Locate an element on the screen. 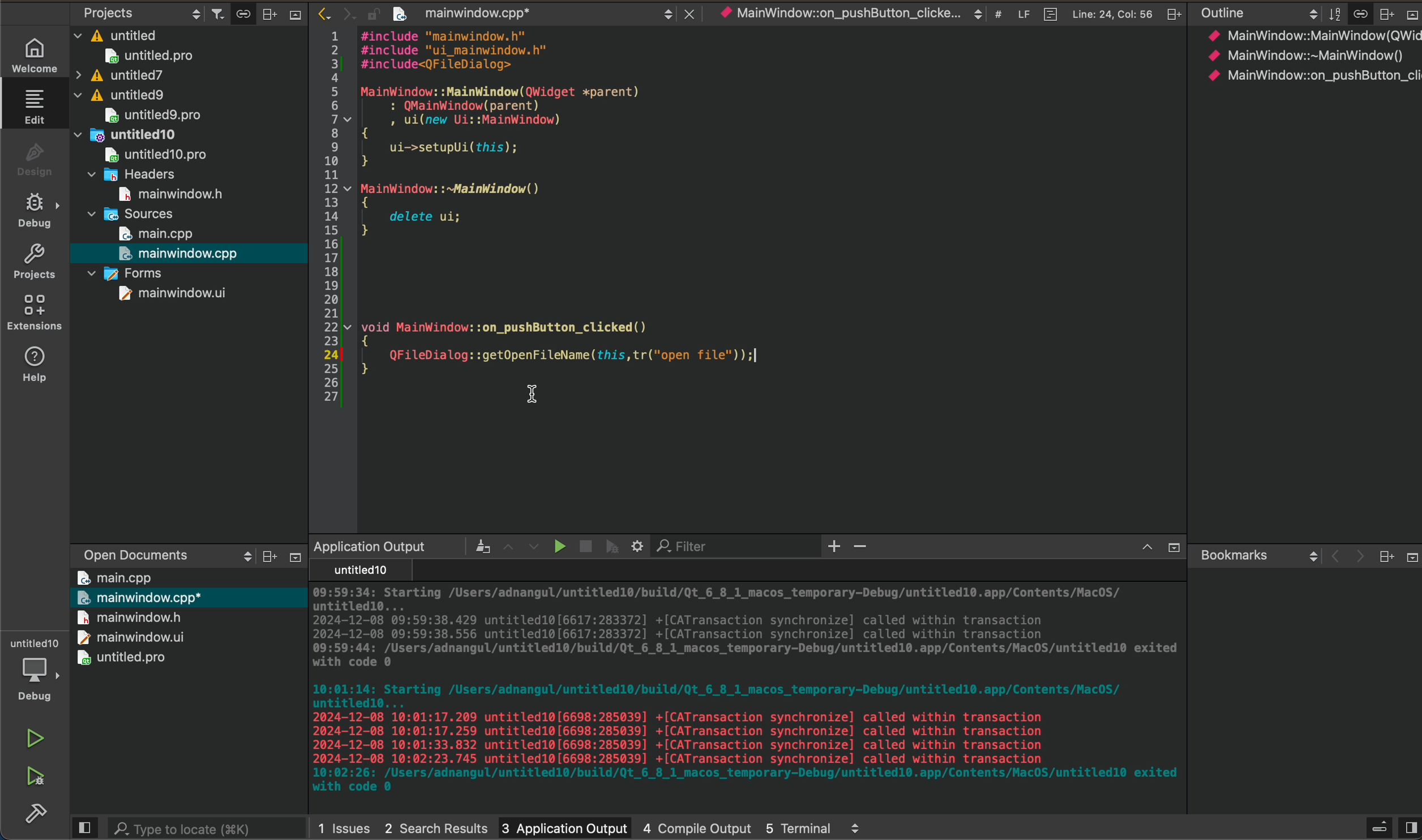  mainwindow.h is located at coordinates (130, 617).